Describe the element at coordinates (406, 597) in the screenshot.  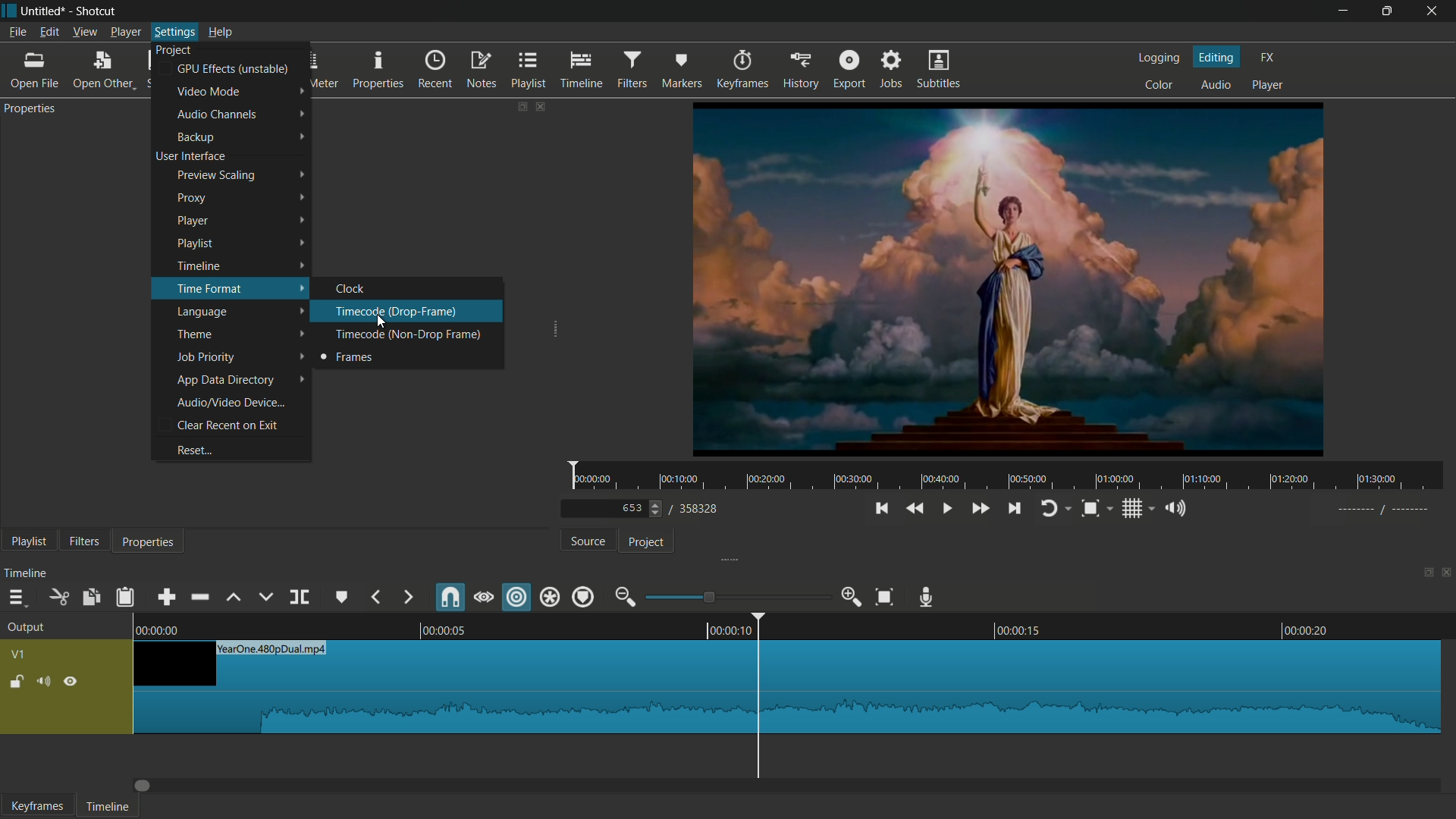
I see `next marker` at that location.